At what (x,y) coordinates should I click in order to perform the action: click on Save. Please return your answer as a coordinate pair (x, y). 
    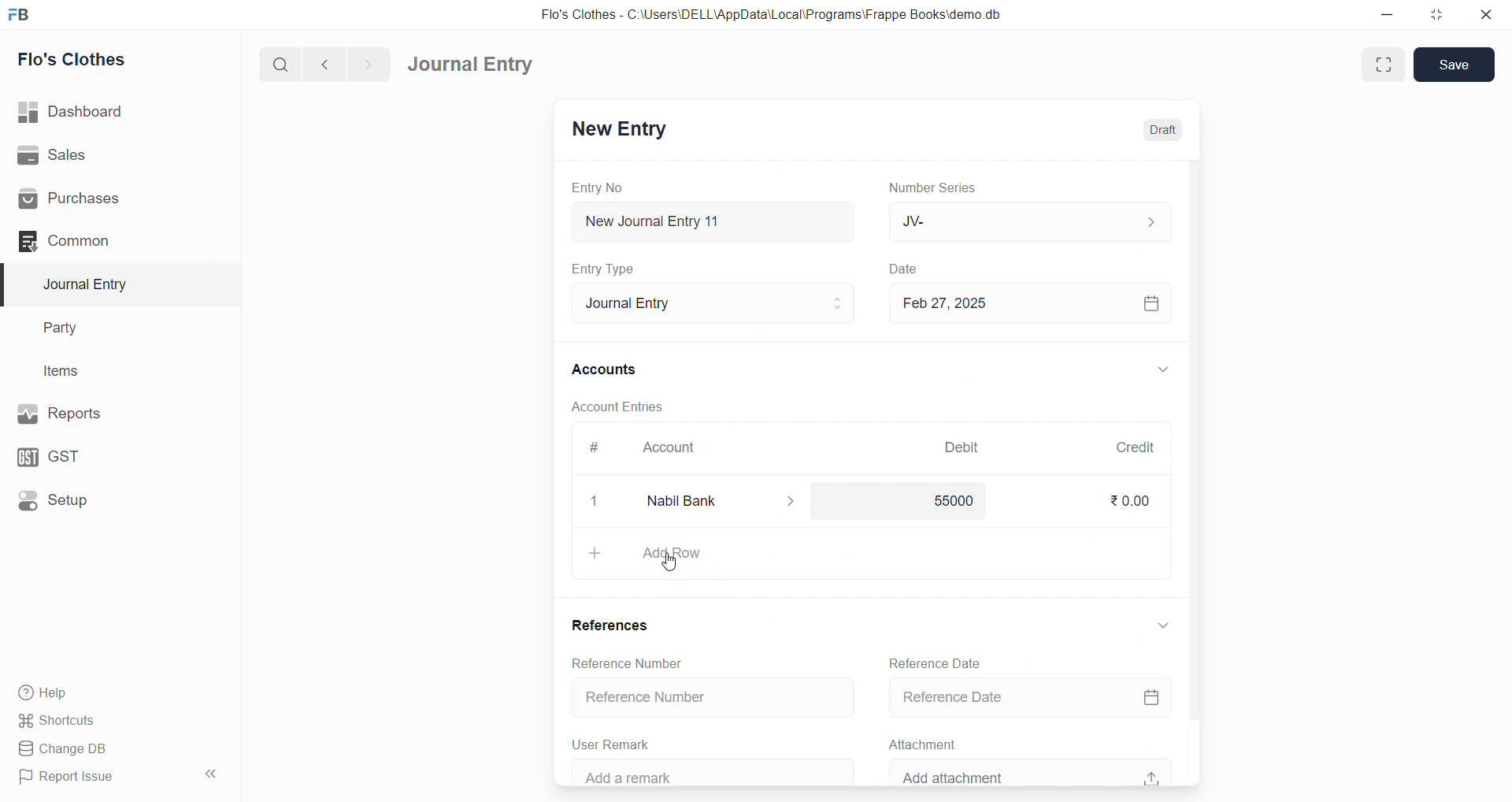
    Looking at the image, I should click on (1455, 65).